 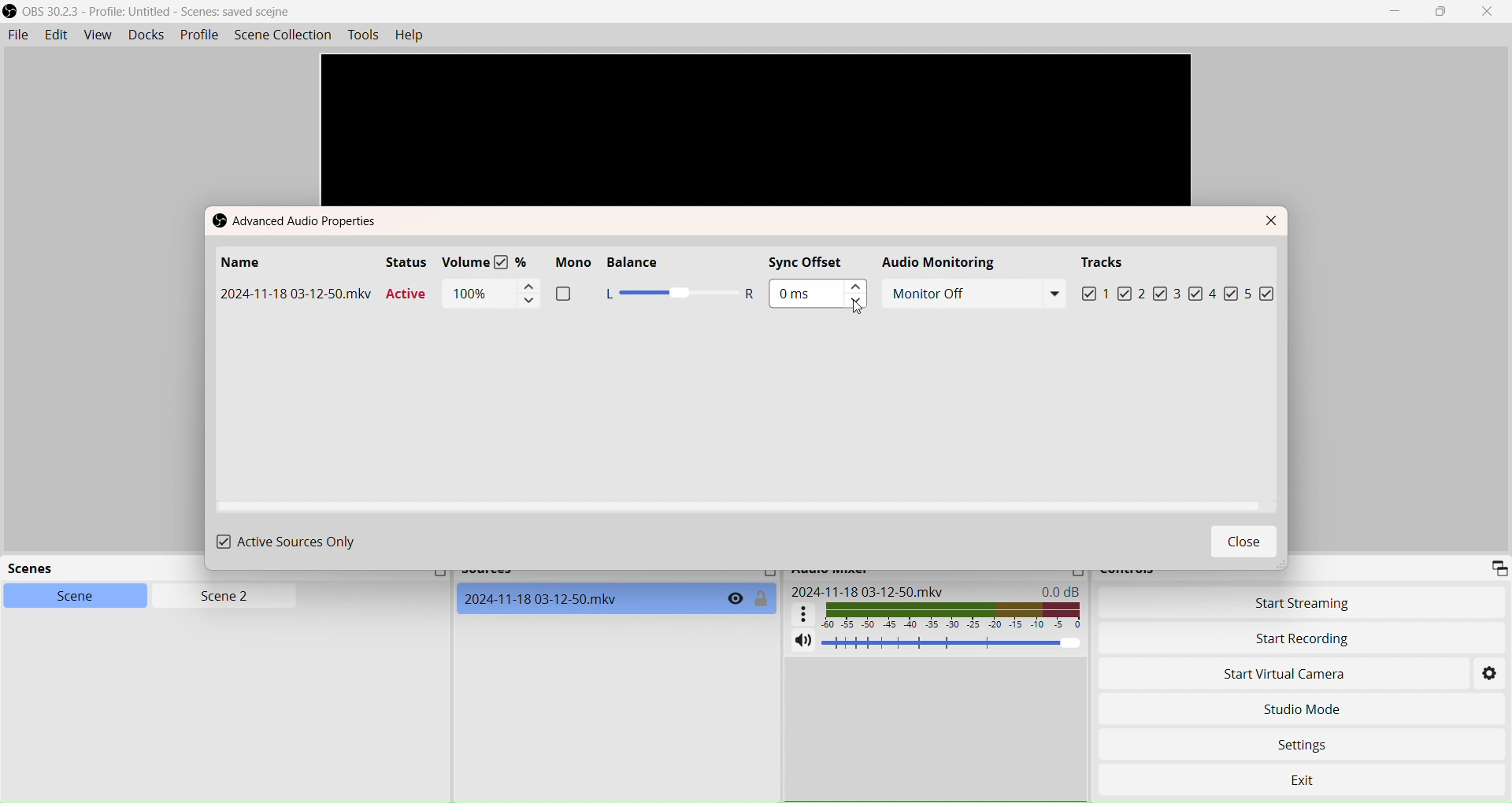 What do you see at coordinates (1261, 294) in the screenshot?
I see `5` at bounding box center [1261, 294].